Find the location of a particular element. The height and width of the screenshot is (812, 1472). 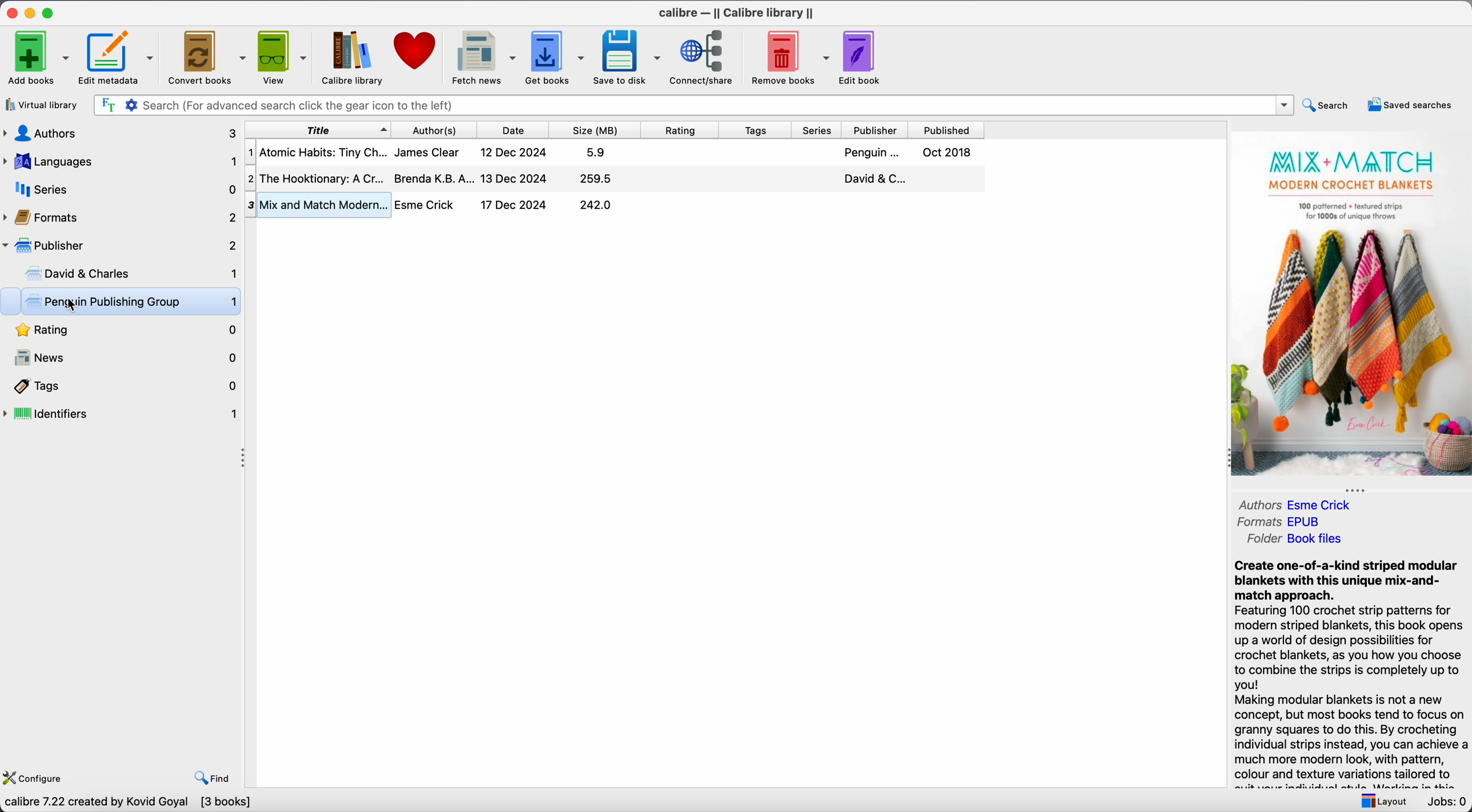

Calibre library is located at coordinates (353, 59).